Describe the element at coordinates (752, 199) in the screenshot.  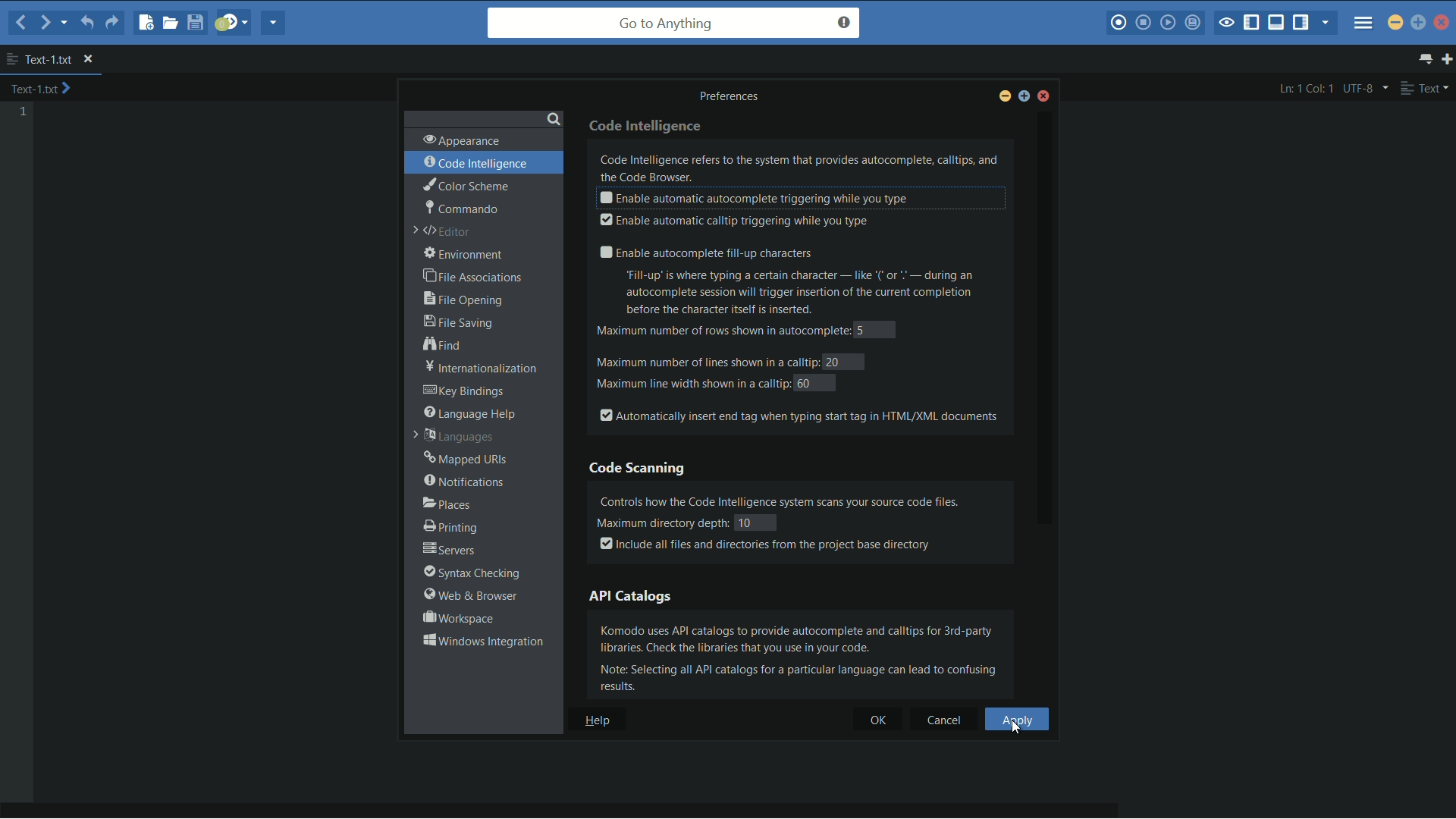
I see `enable automatic autocomplete triggering while you type` at that location.